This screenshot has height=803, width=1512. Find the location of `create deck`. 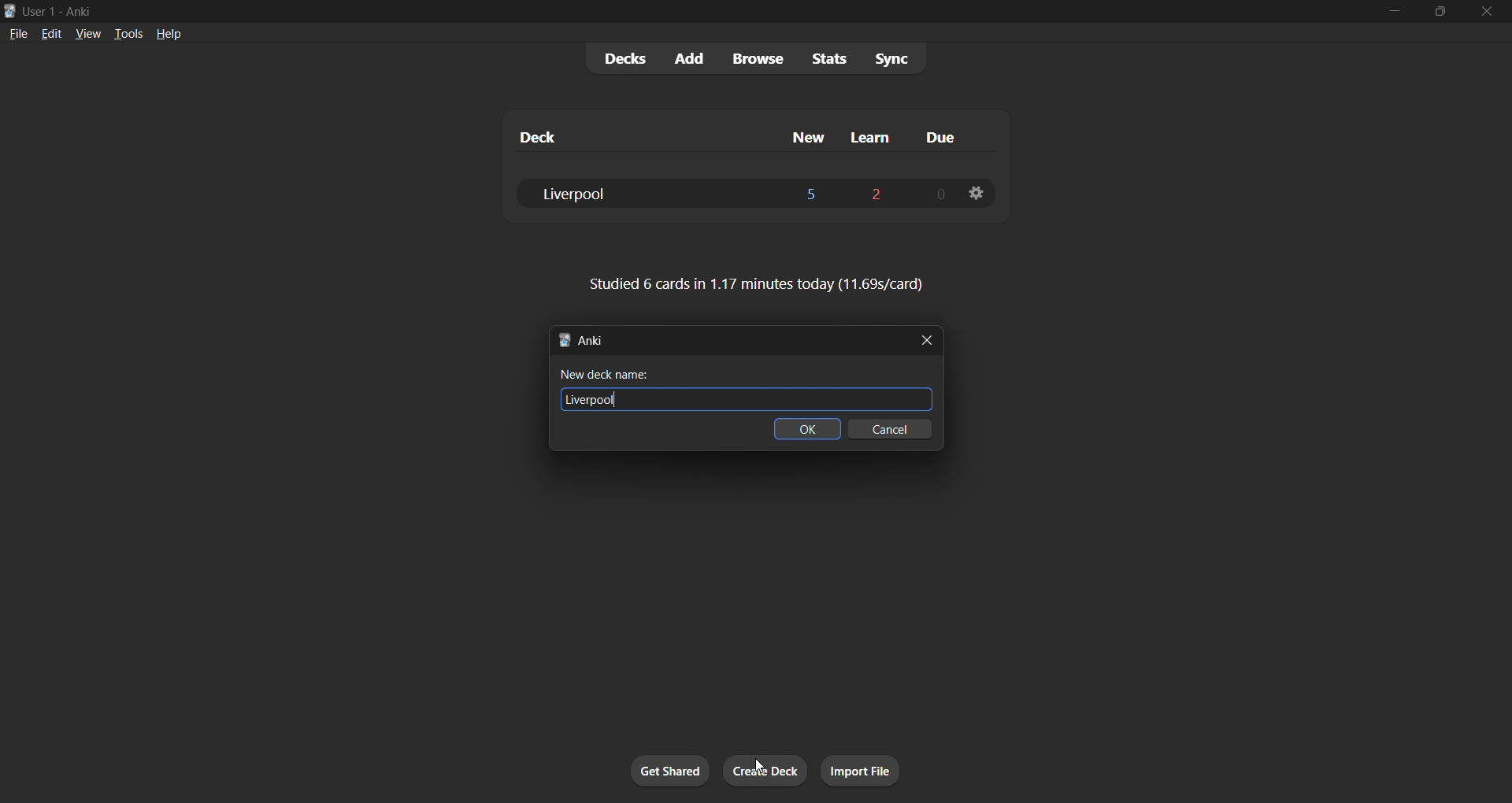

create deck is located at coordinates (765, 770).